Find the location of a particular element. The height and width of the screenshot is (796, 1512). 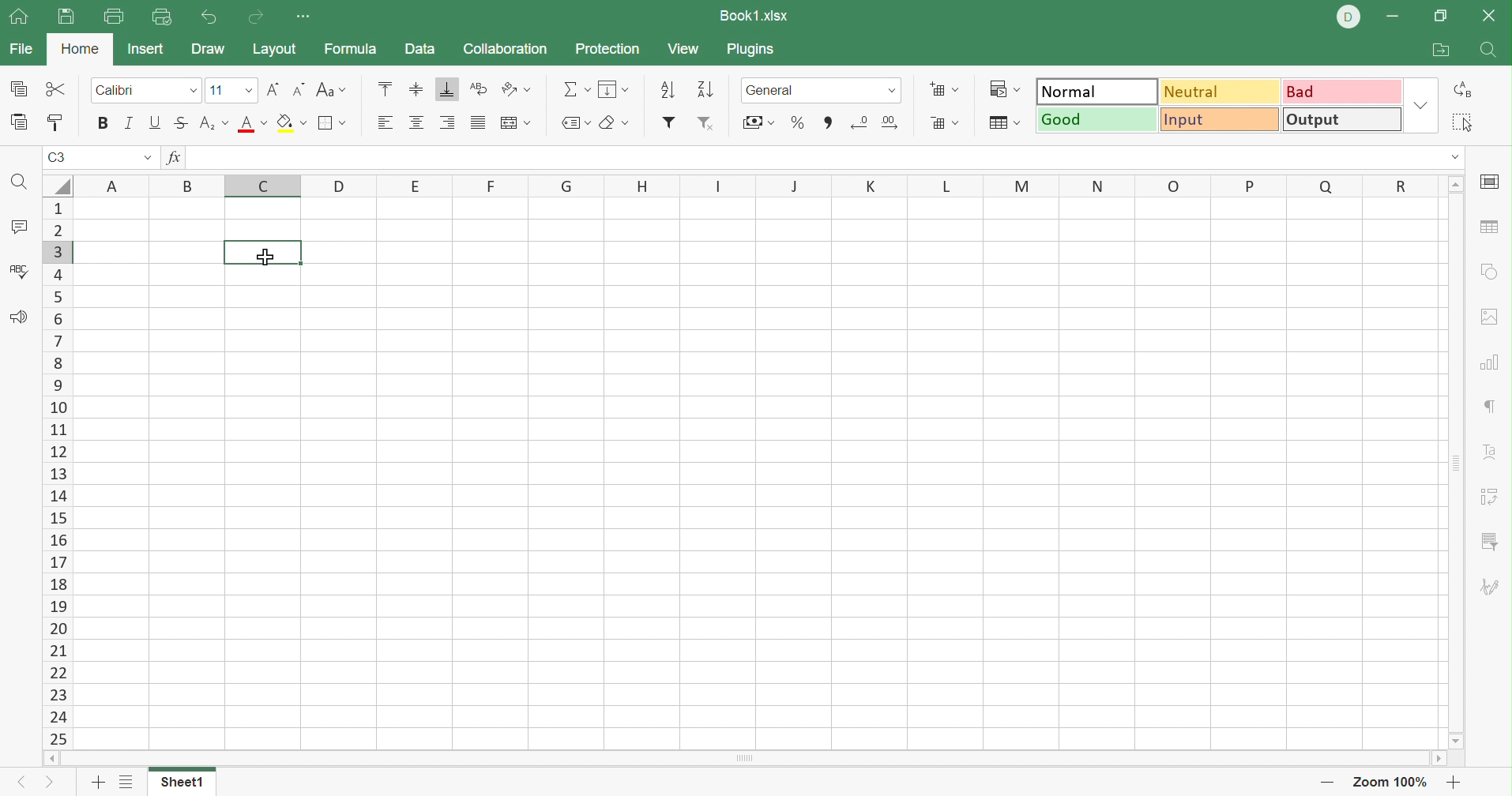

Summation is located at coordinates (574, 89).